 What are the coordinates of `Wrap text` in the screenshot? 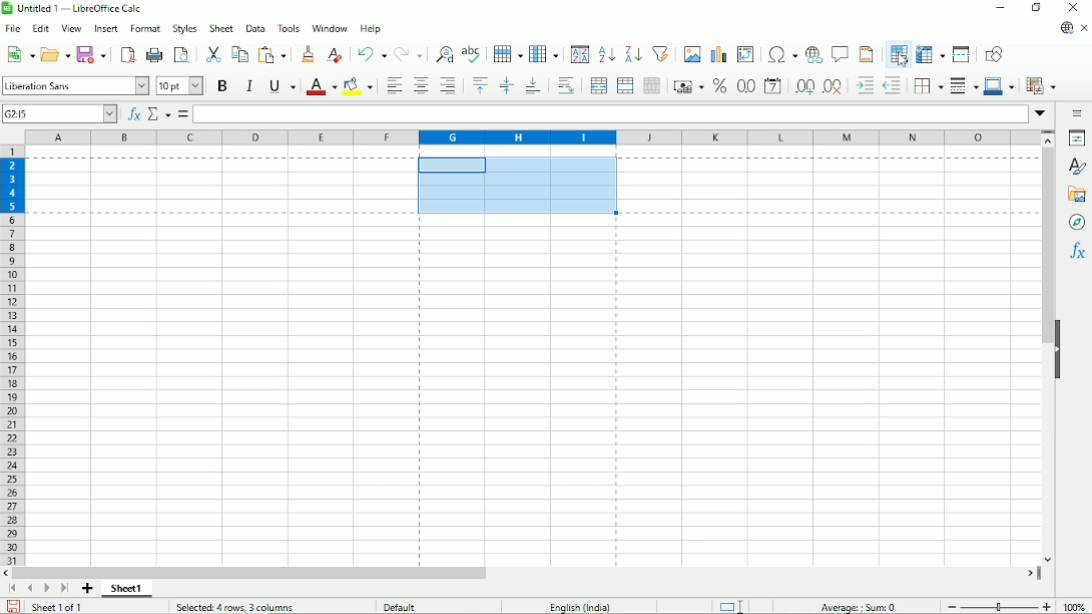 It's located at (565, 86).